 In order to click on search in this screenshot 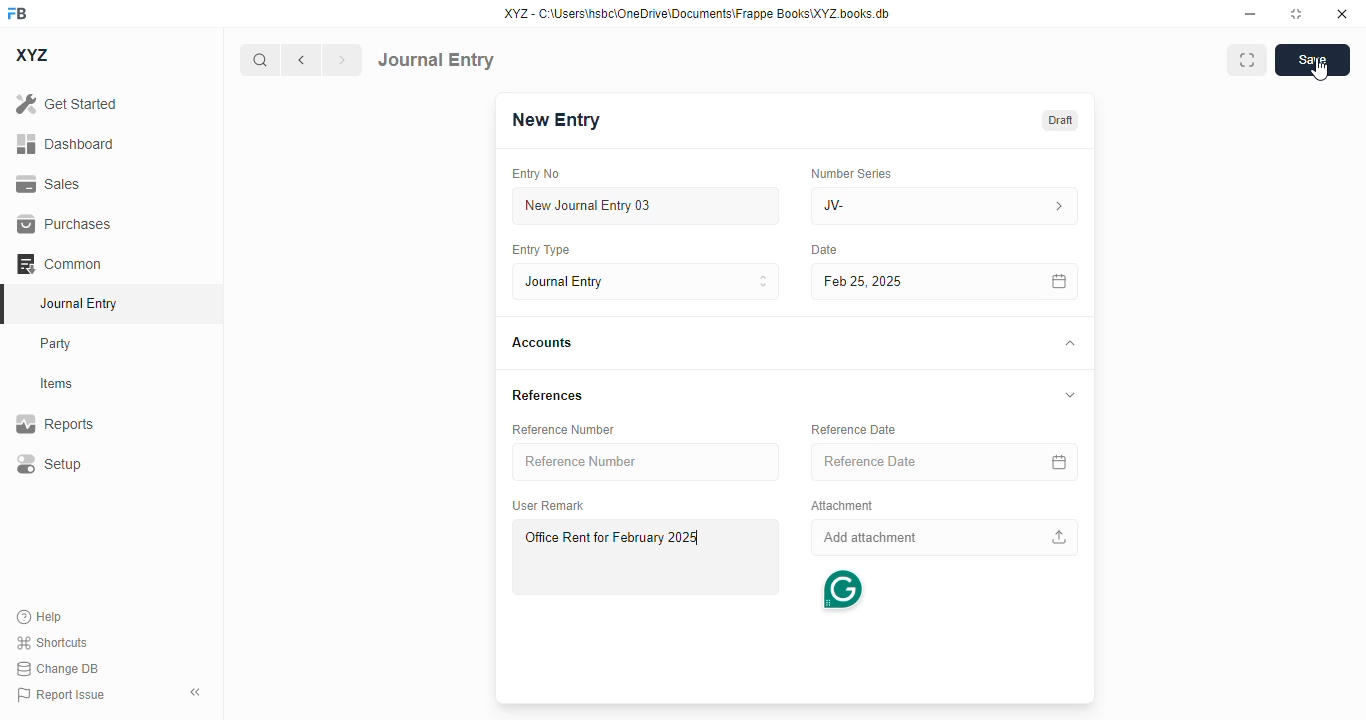, I will do `click(259, 60)`.